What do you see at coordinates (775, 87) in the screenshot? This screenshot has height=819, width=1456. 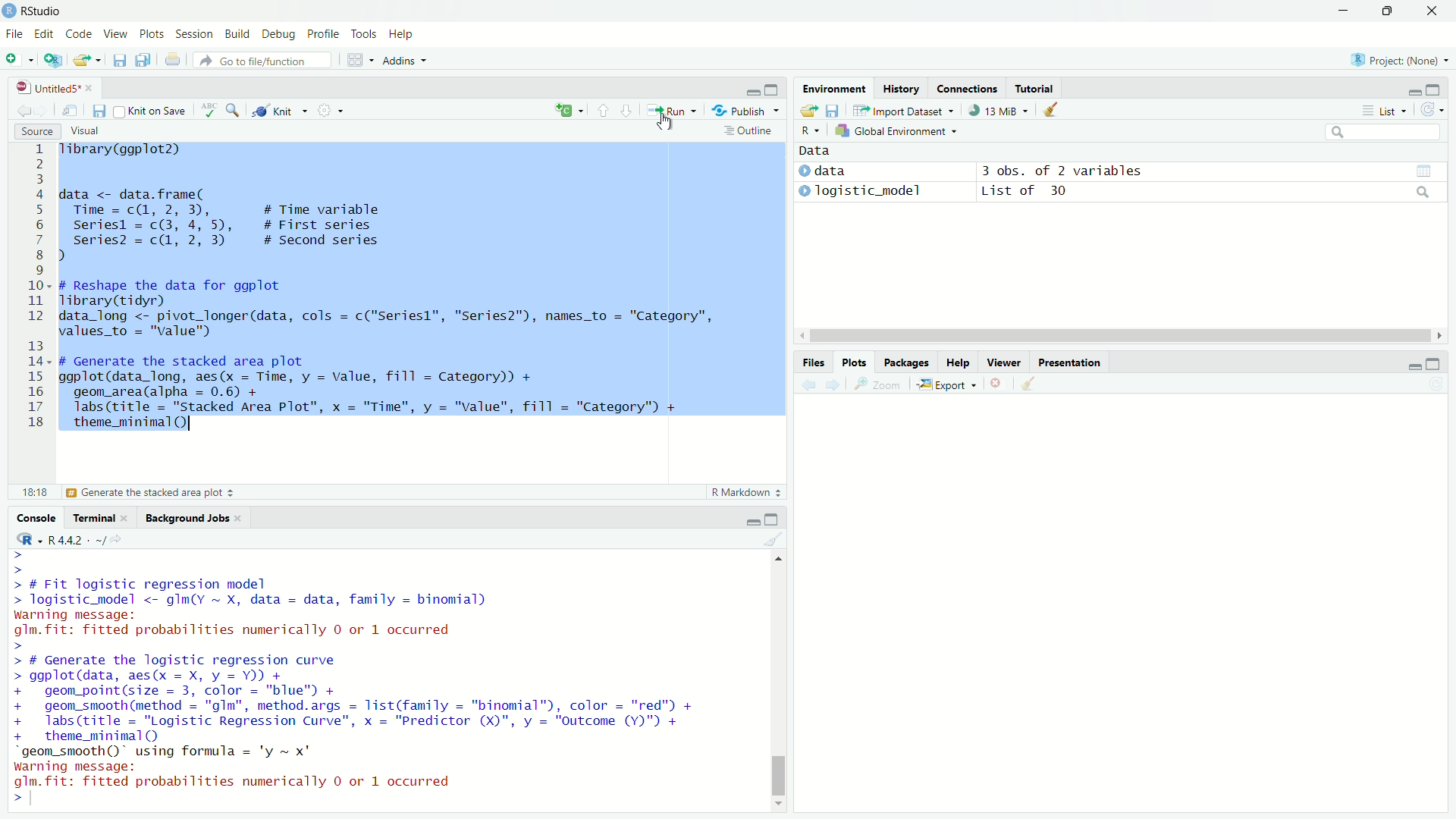 I see `maximise` at bounding box center [775, 87].